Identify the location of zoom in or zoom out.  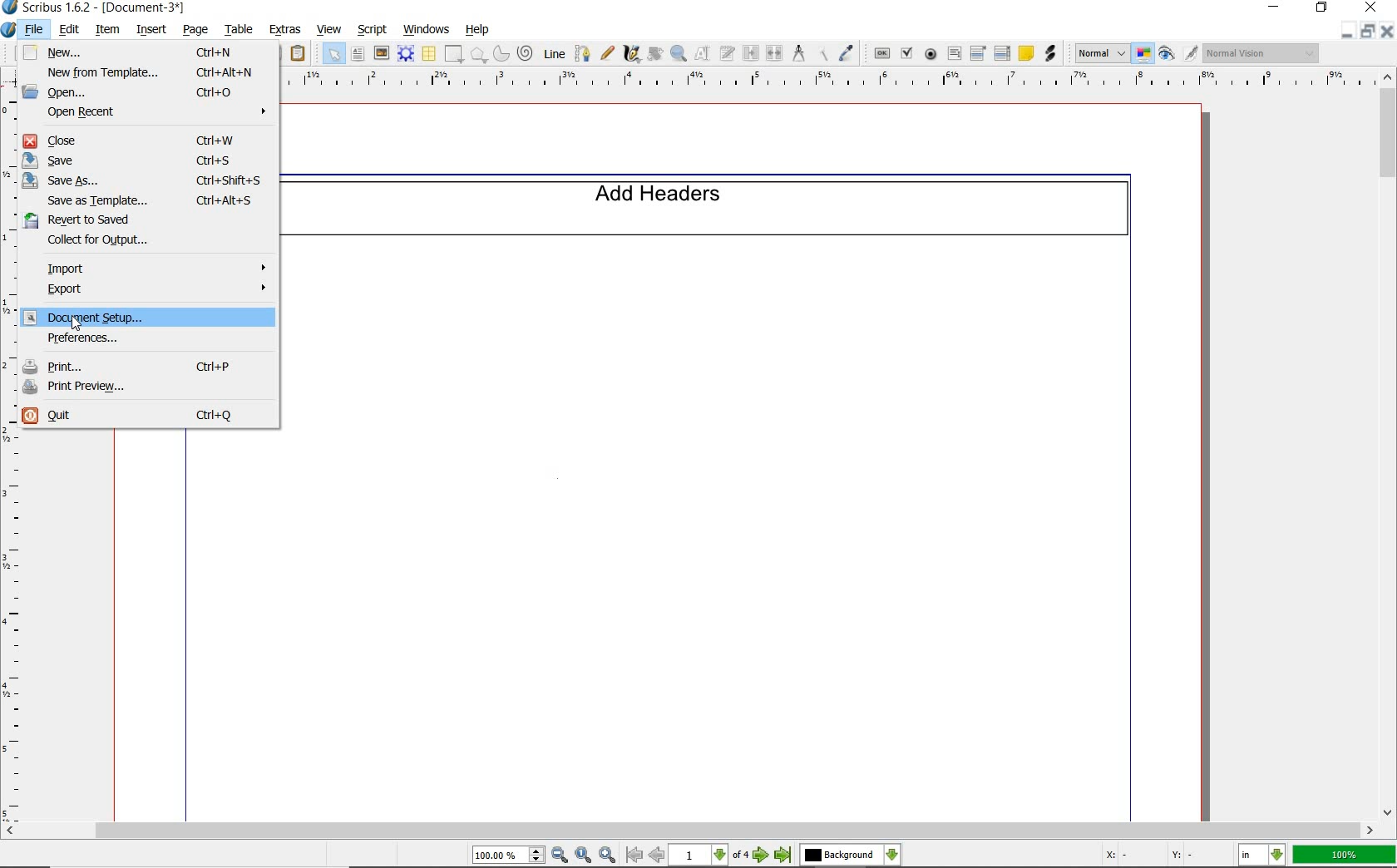
(679, 55).